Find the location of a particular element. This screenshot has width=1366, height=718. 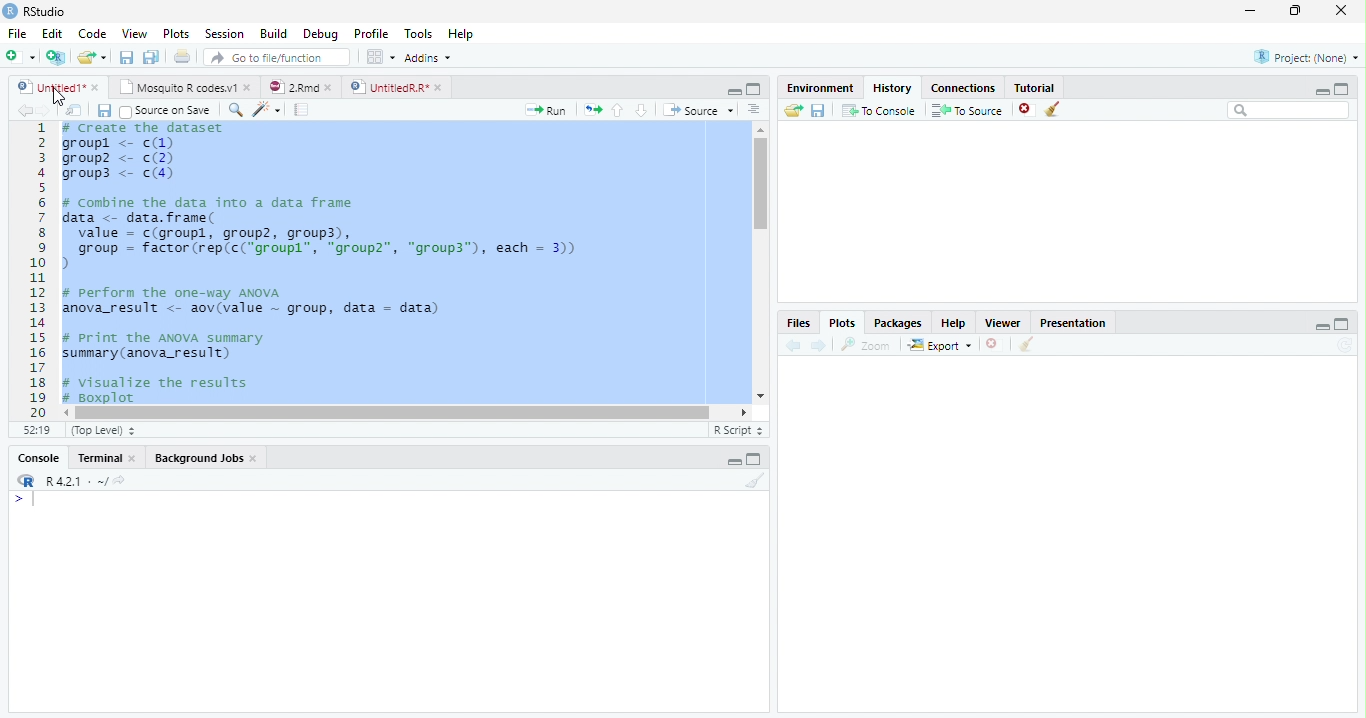

2Rmd is located at coordinates (299, 85).